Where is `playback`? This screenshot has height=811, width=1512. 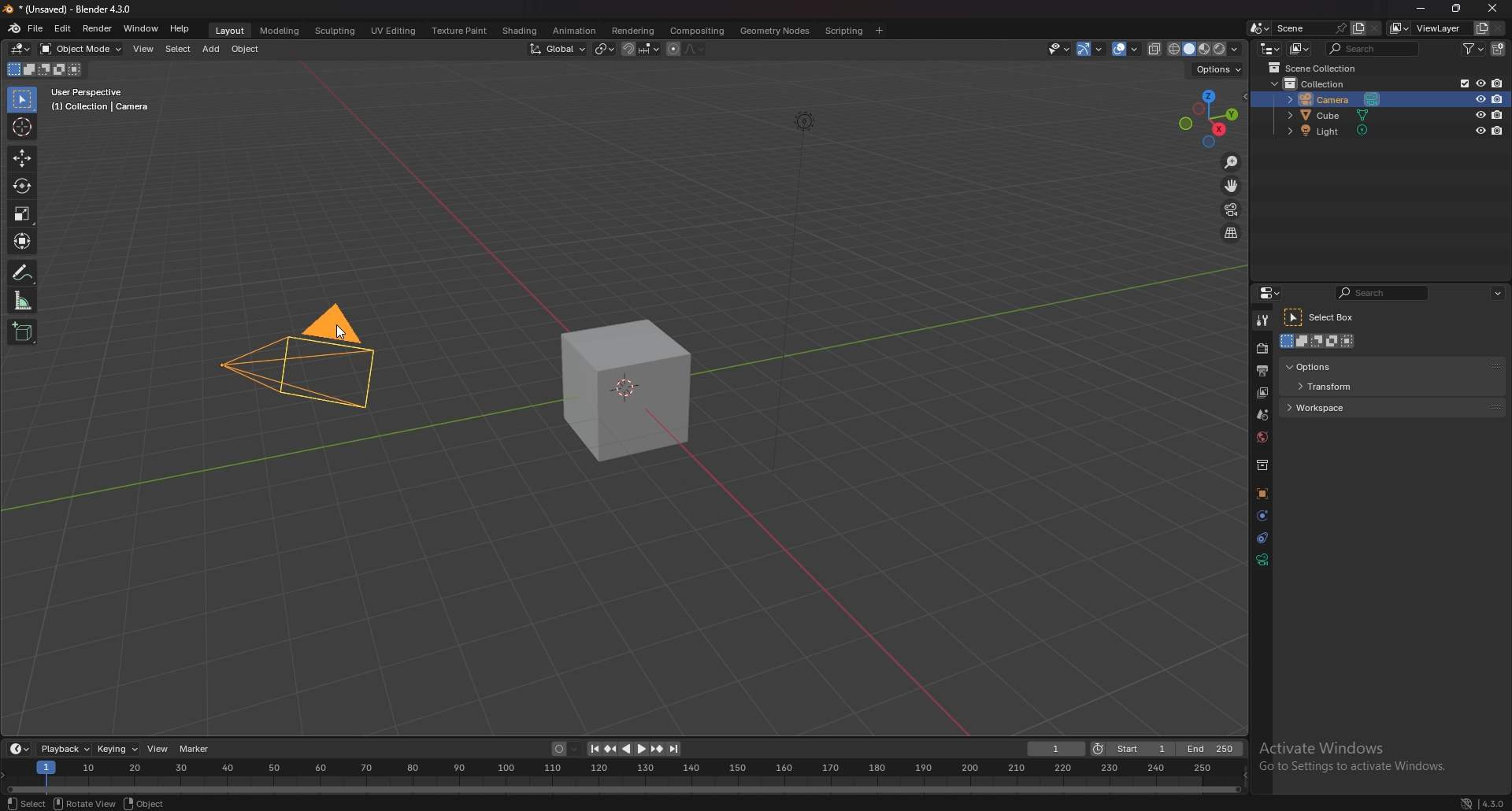 playback is located at coordinates (64, 749).